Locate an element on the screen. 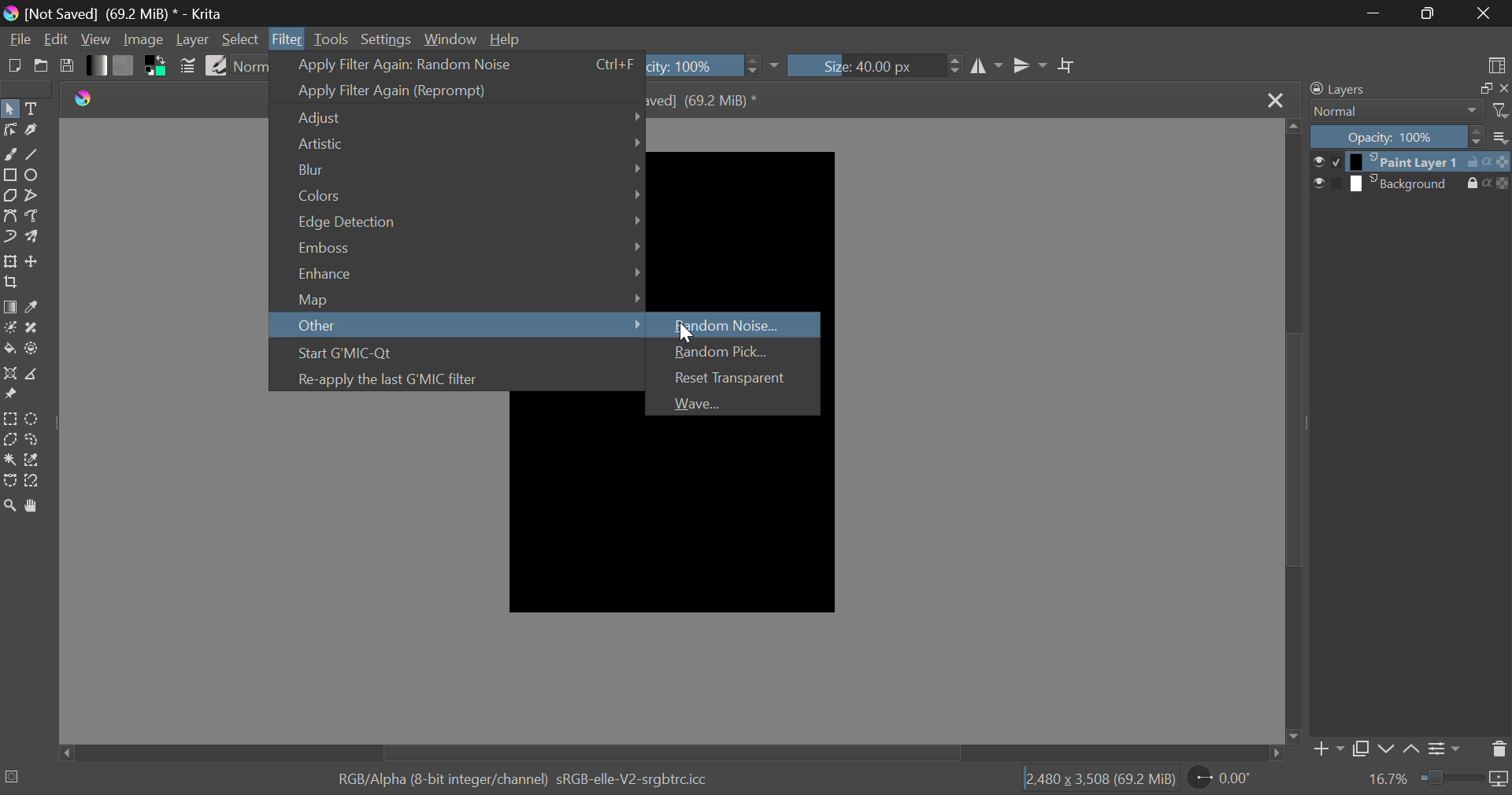 The height and width of the screenshot is (795, 1512). Close is located at coordinates (1275, 98).